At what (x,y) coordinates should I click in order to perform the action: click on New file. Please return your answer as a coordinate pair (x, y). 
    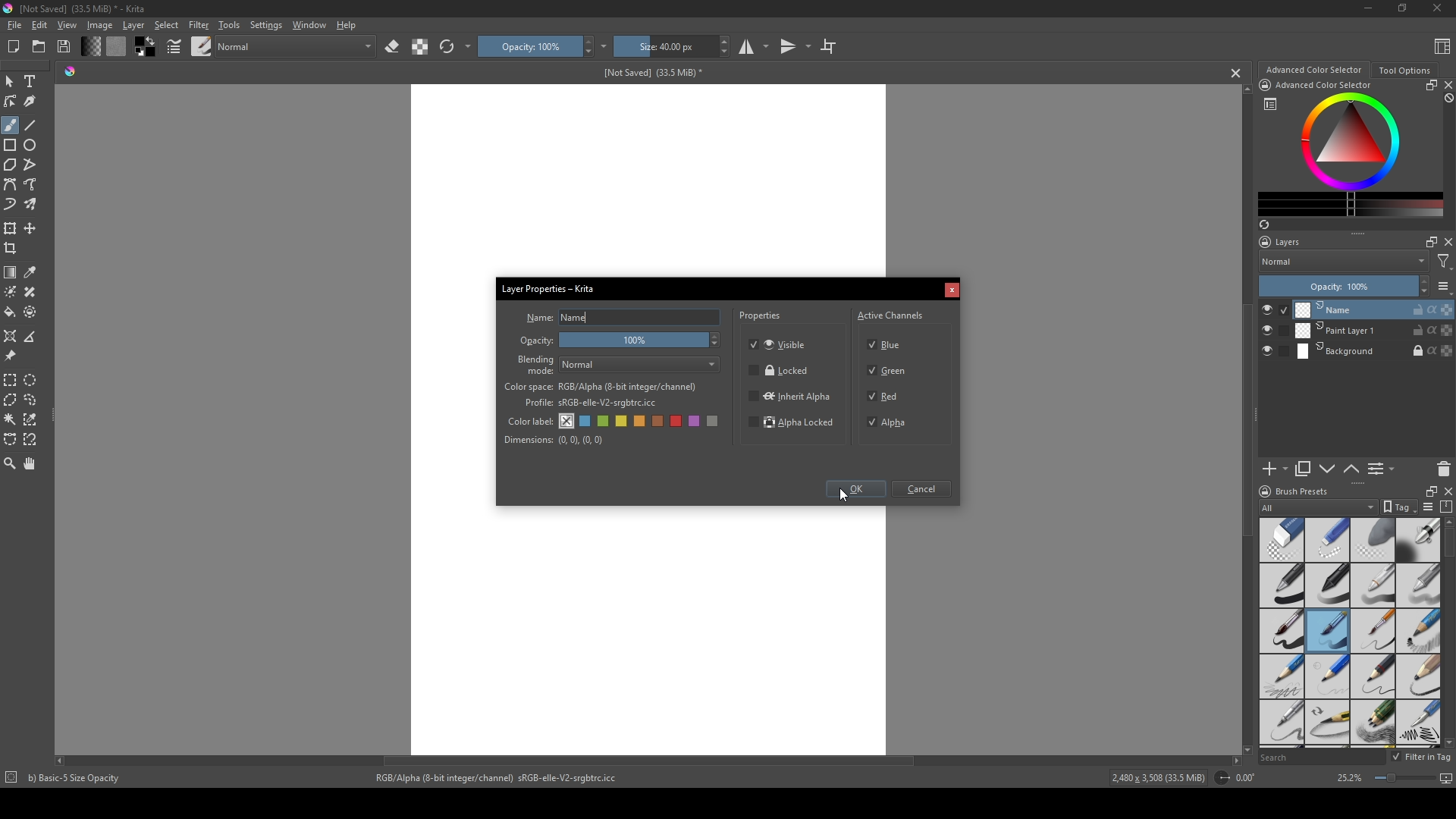
    Looking at the image, I should click on (11, 48).